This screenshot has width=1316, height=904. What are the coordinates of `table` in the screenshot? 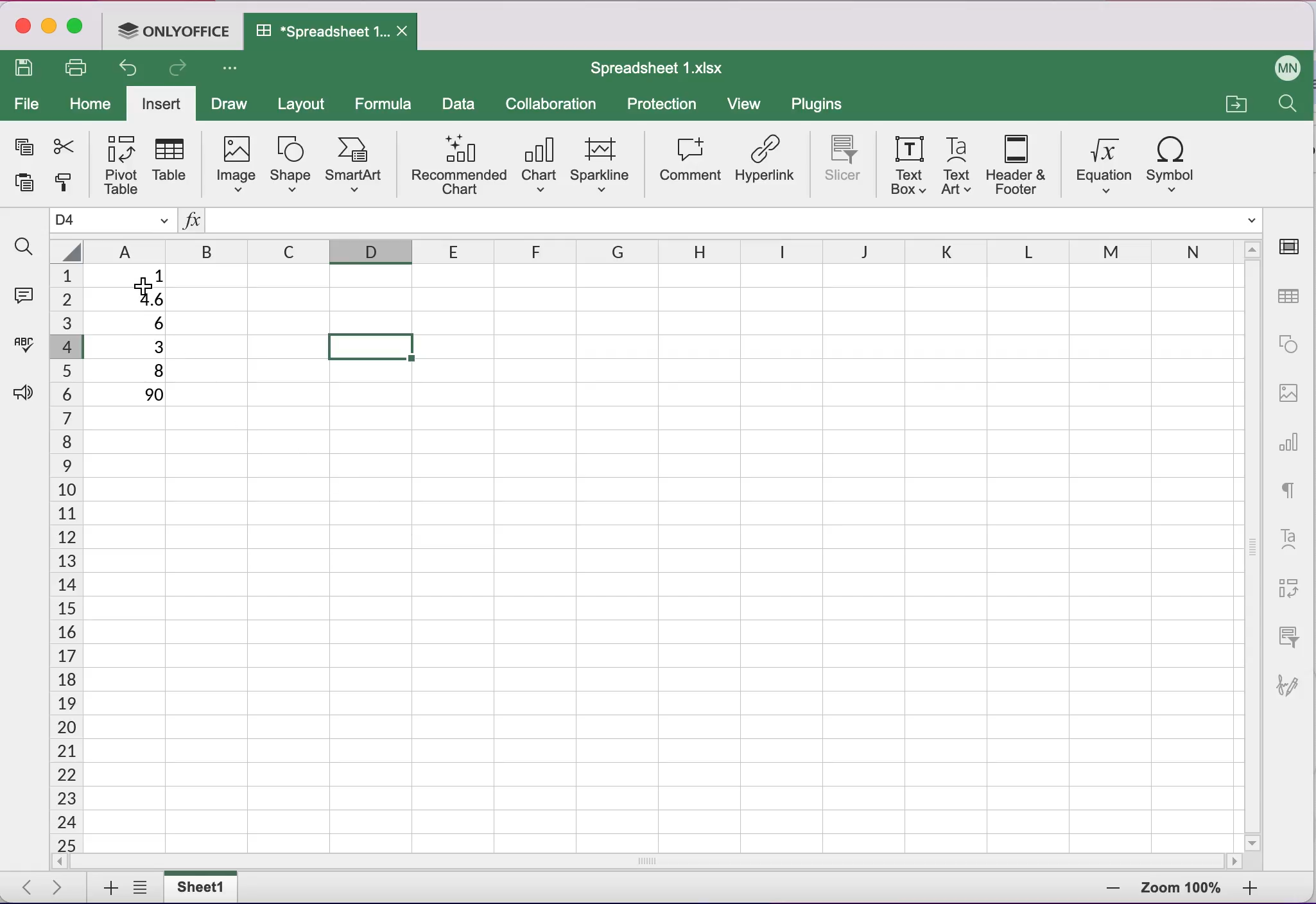 It's located at (1287, 297).